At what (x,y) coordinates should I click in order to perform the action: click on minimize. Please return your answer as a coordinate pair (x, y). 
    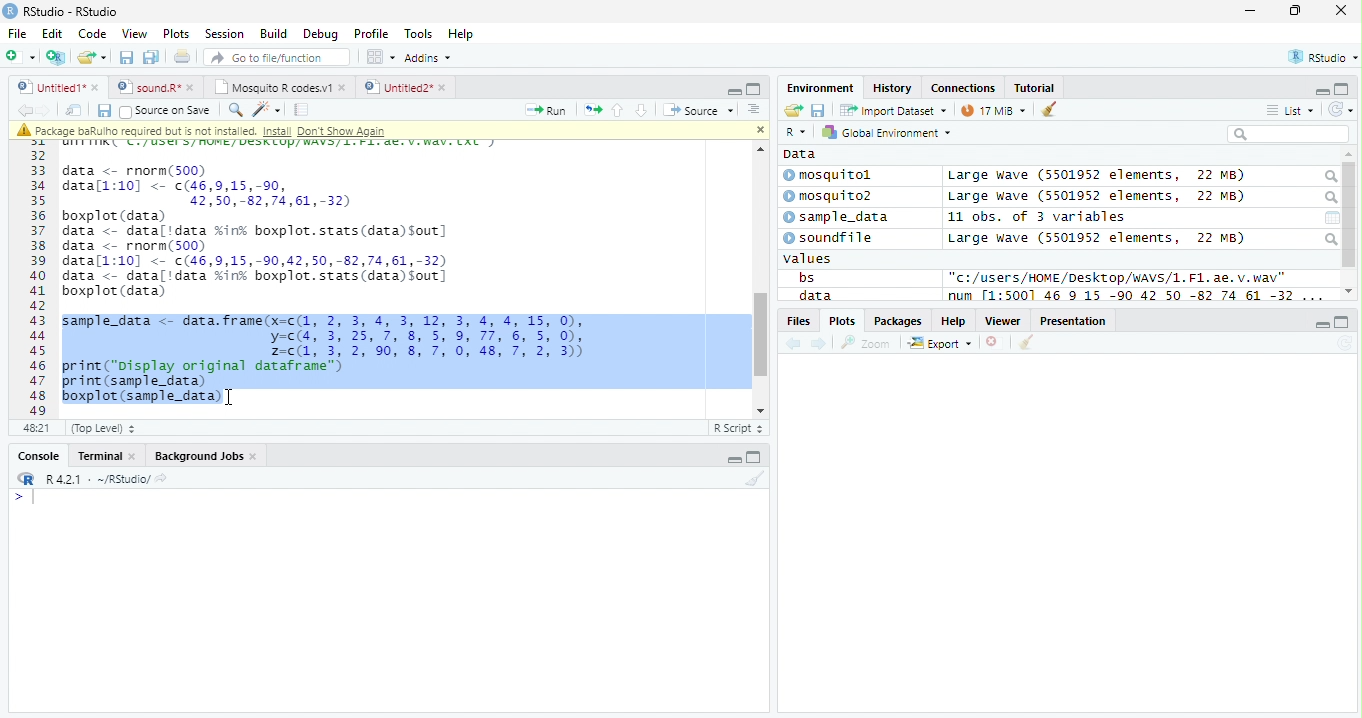
    Looking at the image, I should click on (1322, 323).